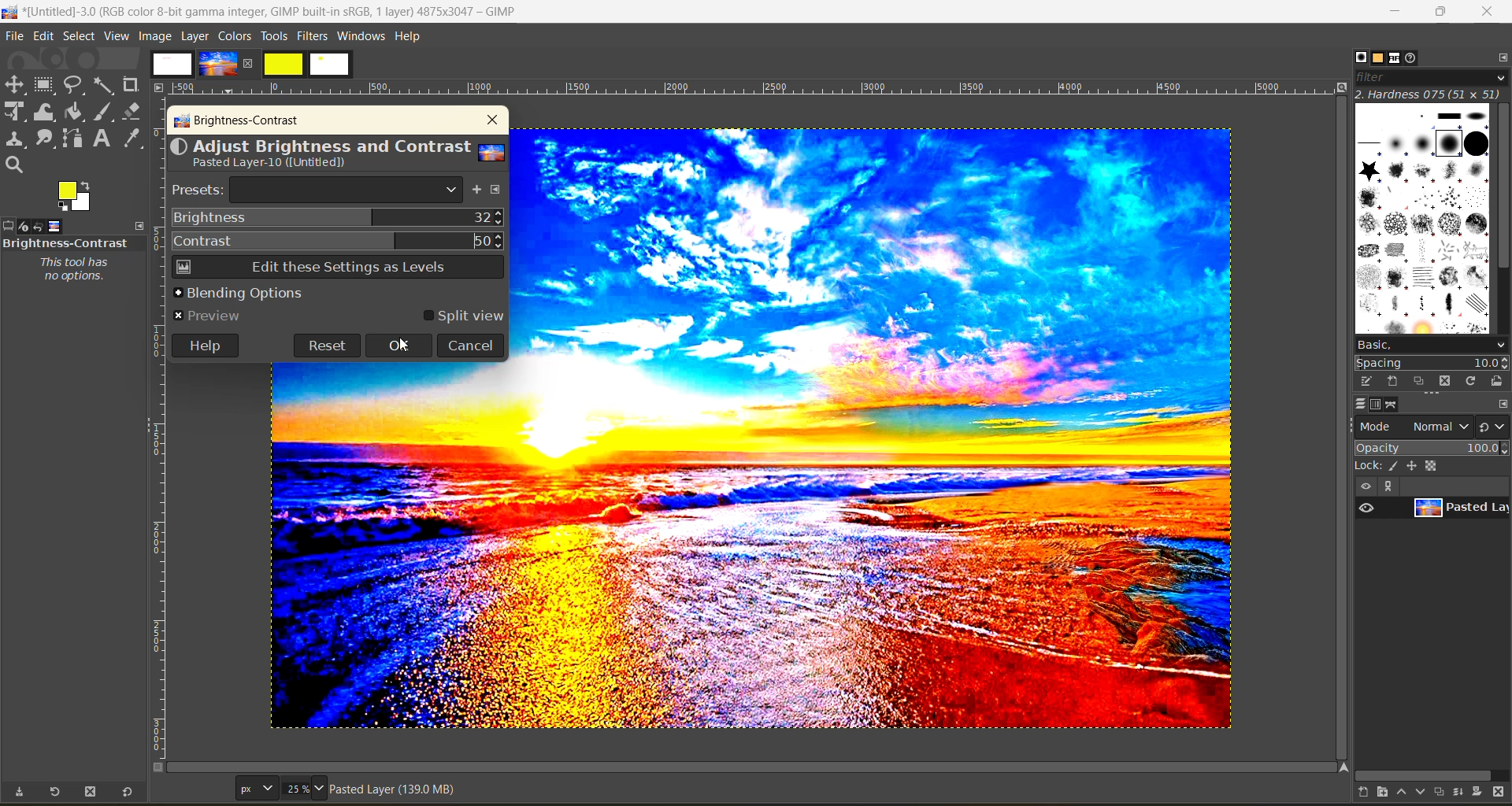  Describe the element at coordinates (410, 39) in the screenshot. I see `help` at that location.